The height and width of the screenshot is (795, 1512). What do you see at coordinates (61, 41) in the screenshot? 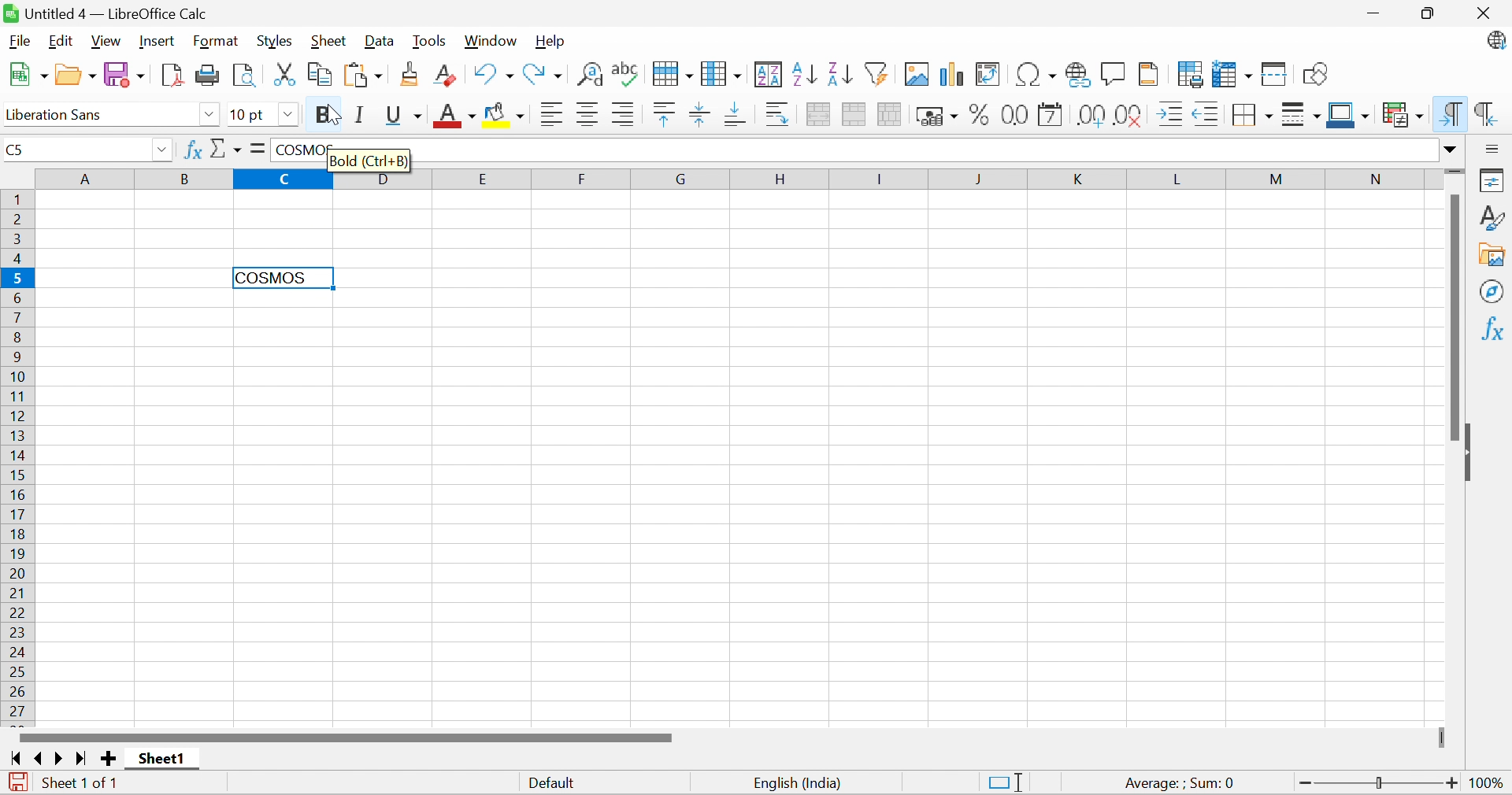
I see `Edit` at bounding box center [61, 41].